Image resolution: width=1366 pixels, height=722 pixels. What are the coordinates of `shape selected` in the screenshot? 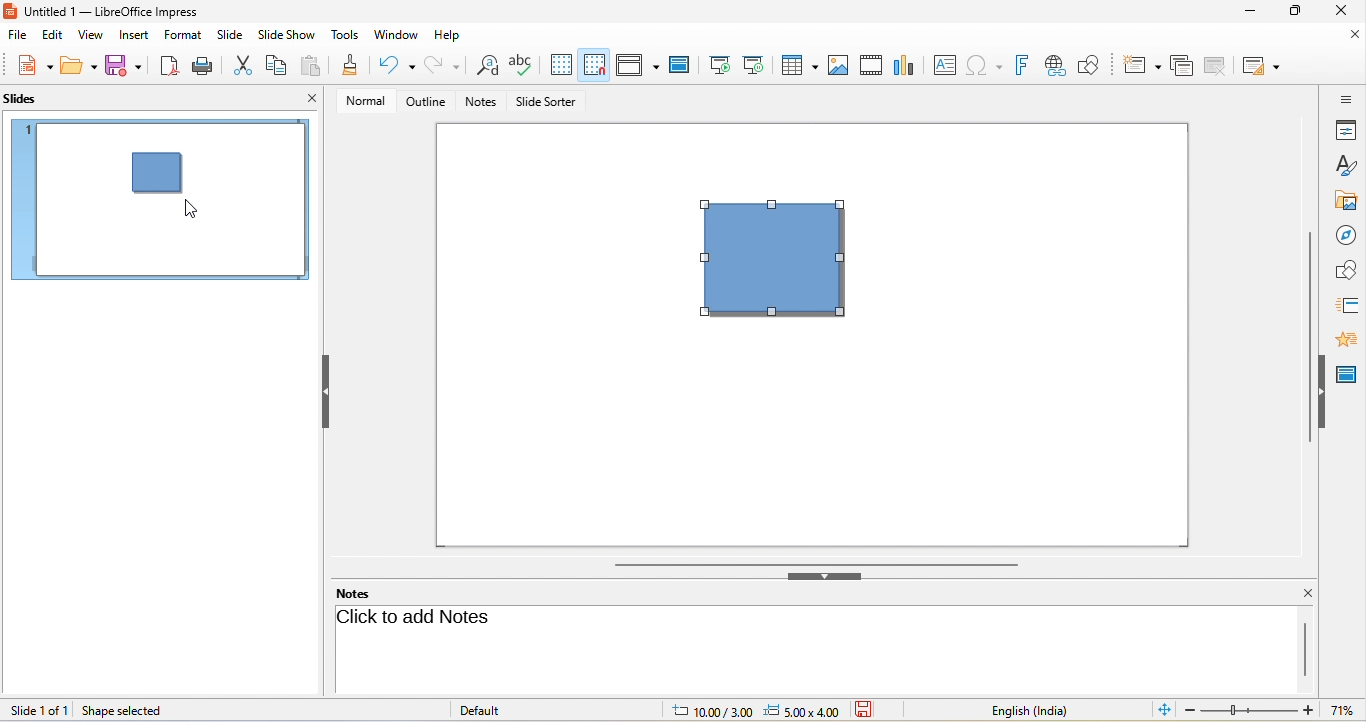 It's located at (124, 711).